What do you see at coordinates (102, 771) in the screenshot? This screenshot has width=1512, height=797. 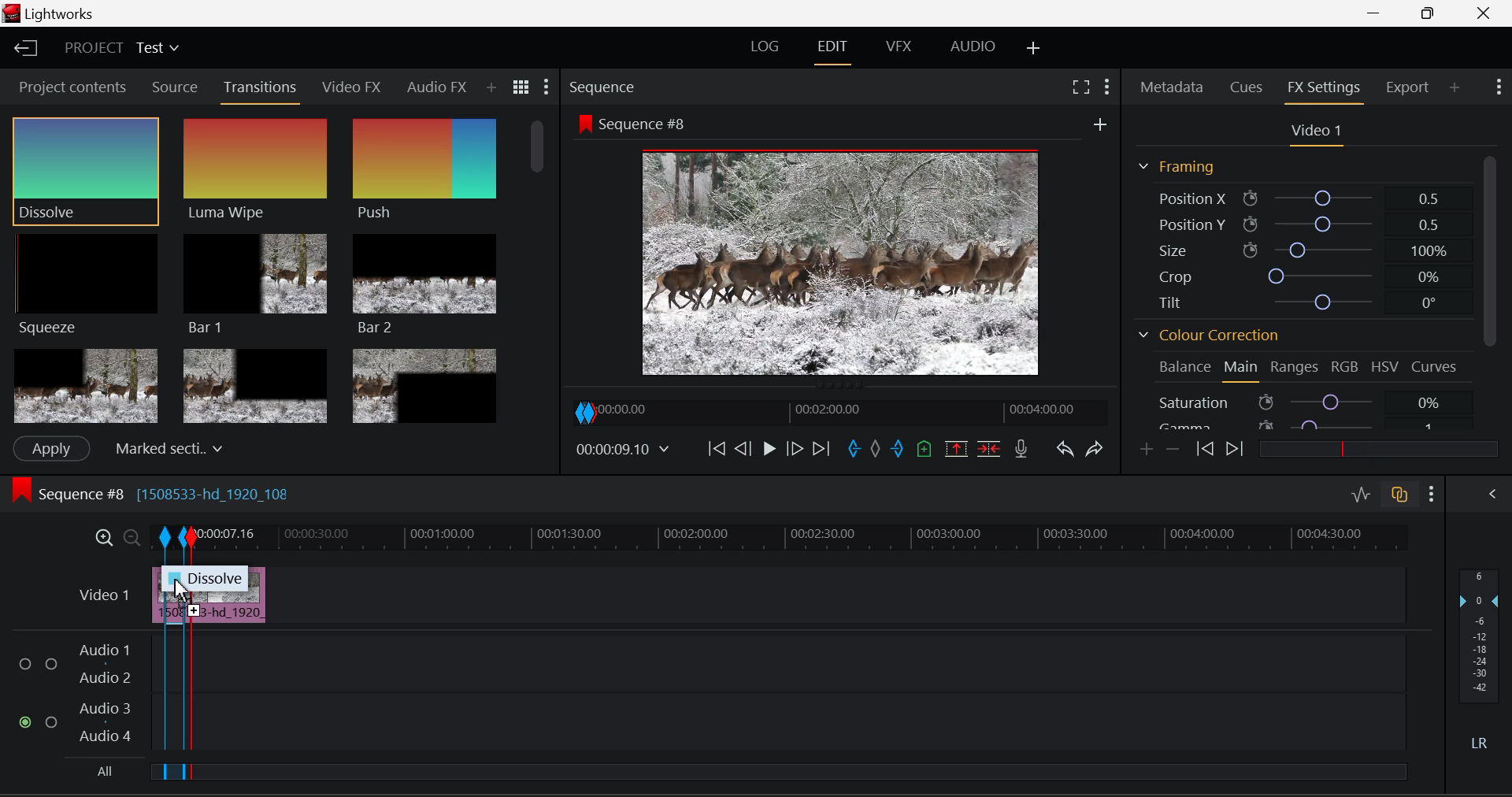 I see `All` at bounding box center [102, 771].